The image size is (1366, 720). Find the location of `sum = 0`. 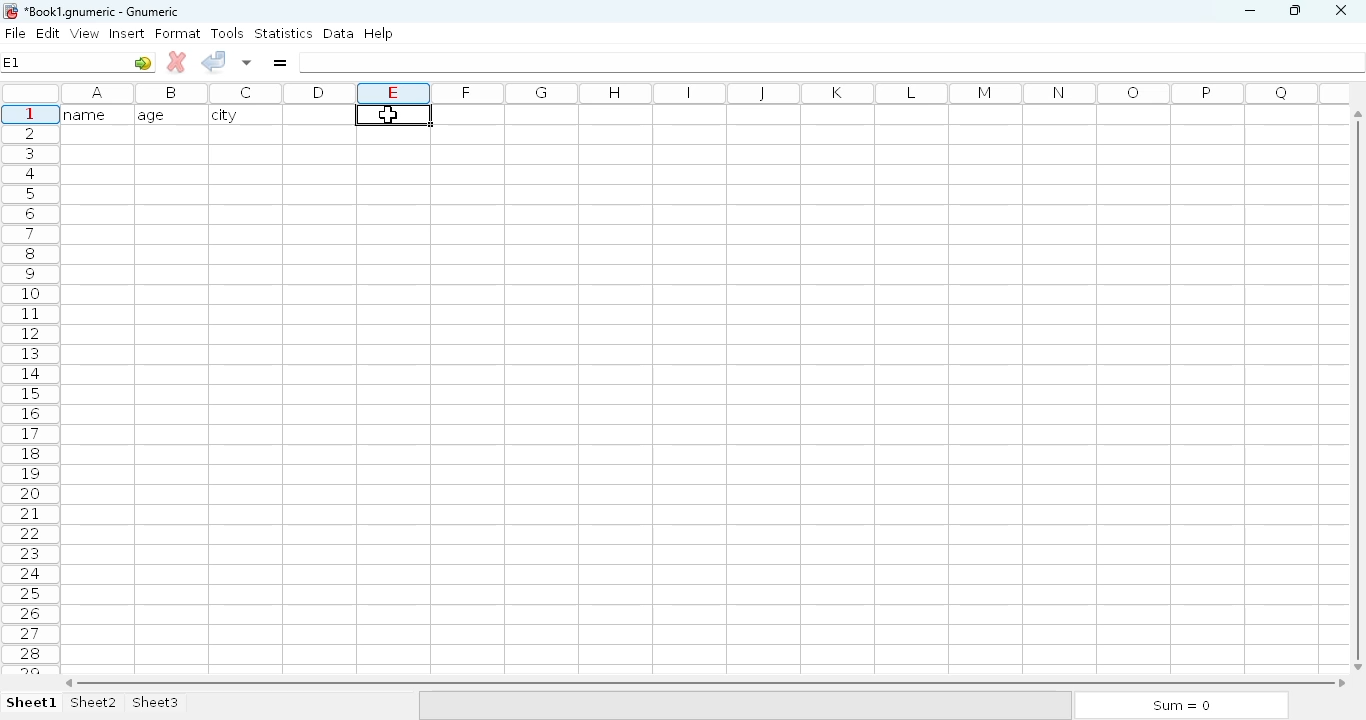

sum = 0 is located at coordinates (1179, 706).